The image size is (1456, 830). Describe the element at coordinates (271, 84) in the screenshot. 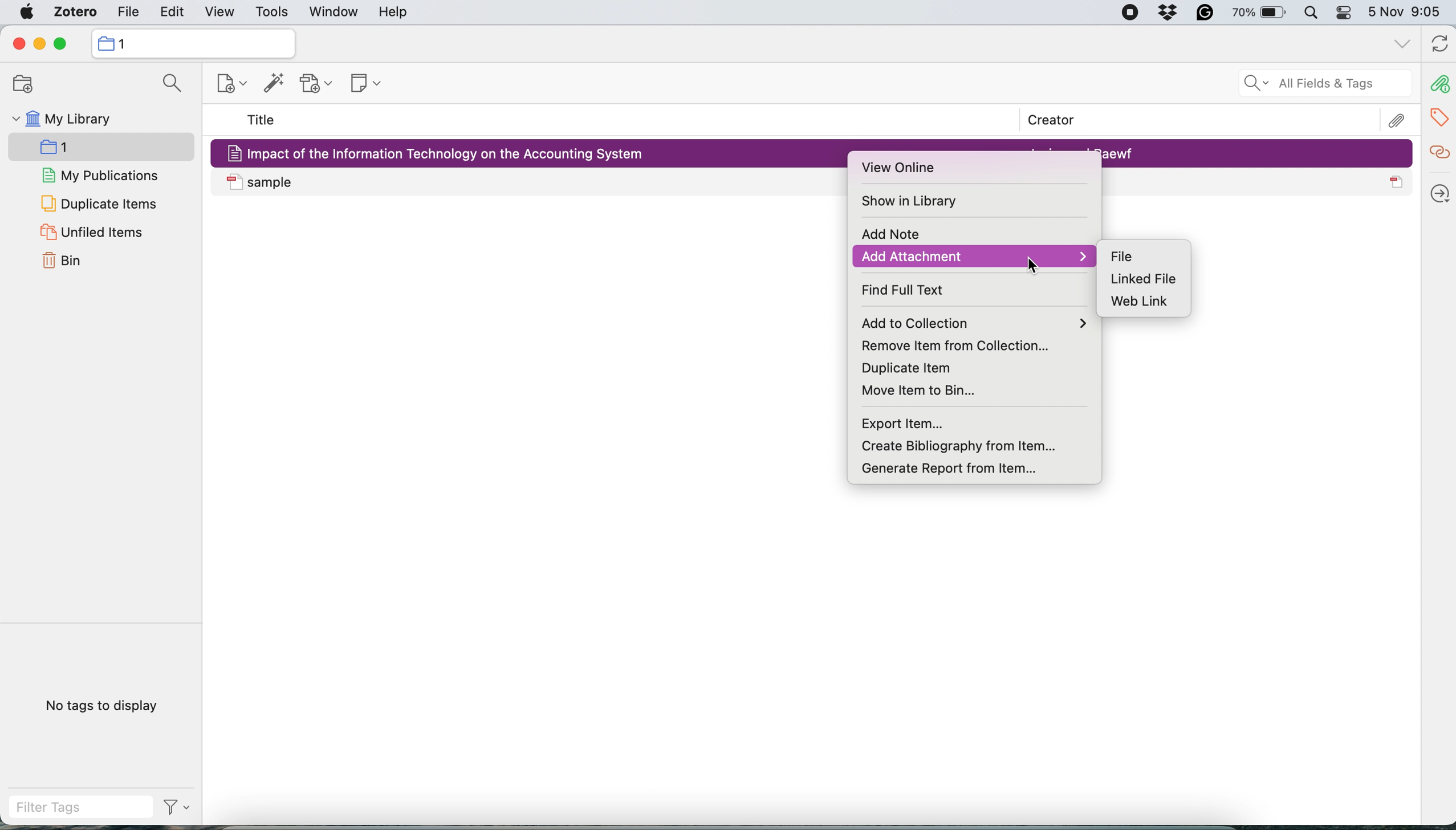

I see `add item by identifier` at that location.